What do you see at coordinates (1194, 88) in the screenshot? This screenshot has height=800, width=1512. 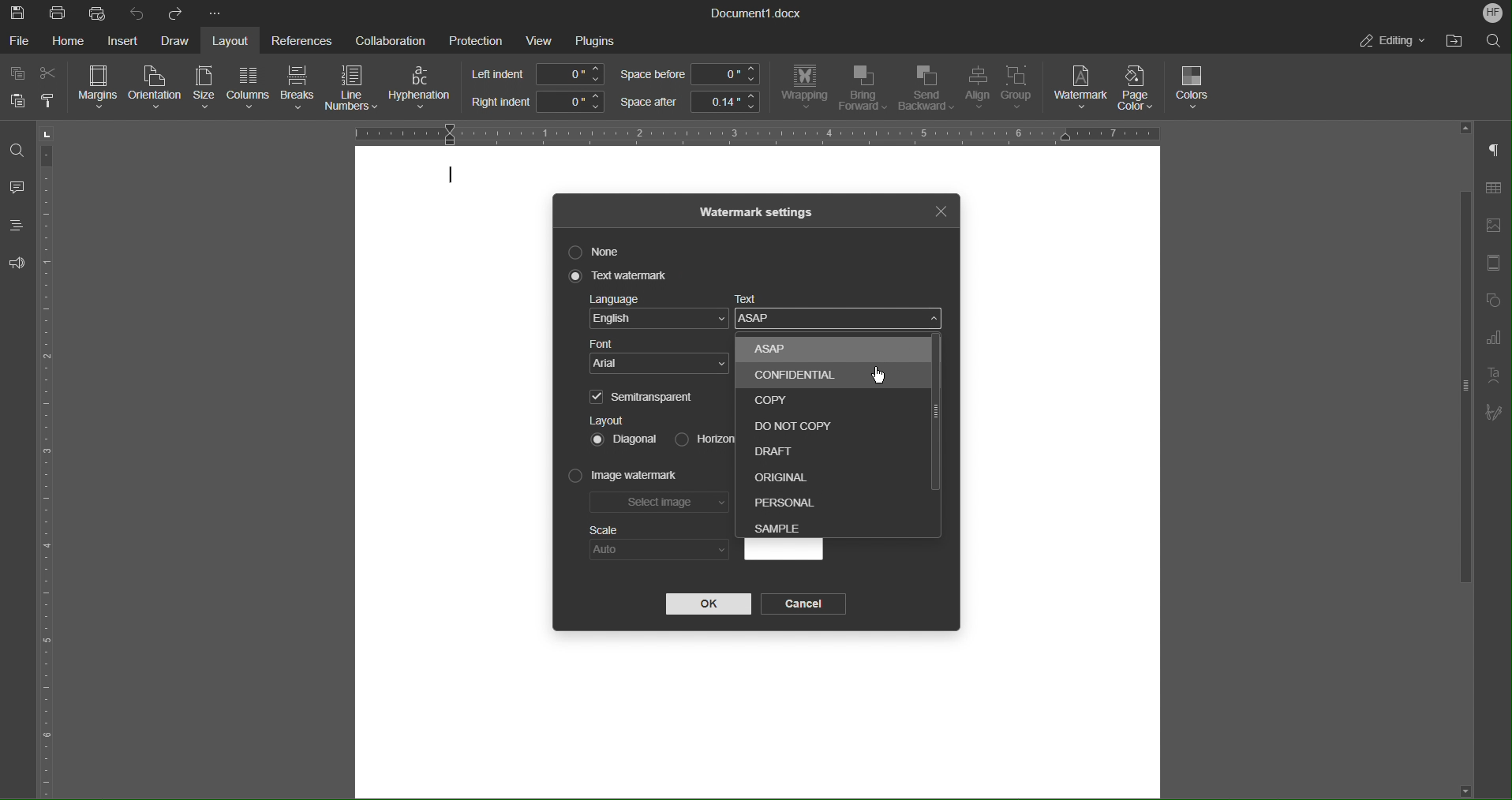 I see `Colors` at bounding box center [1194, 88].